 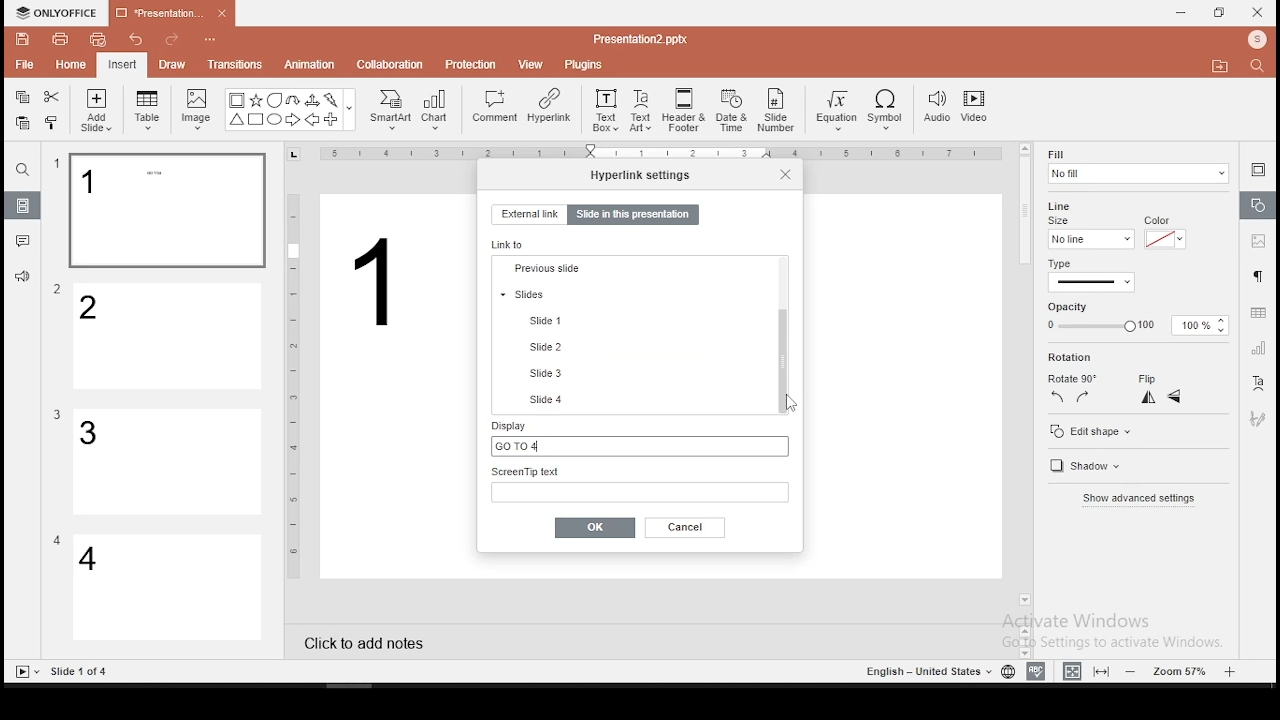 I want to click on ok, so click(x=595, y=527).